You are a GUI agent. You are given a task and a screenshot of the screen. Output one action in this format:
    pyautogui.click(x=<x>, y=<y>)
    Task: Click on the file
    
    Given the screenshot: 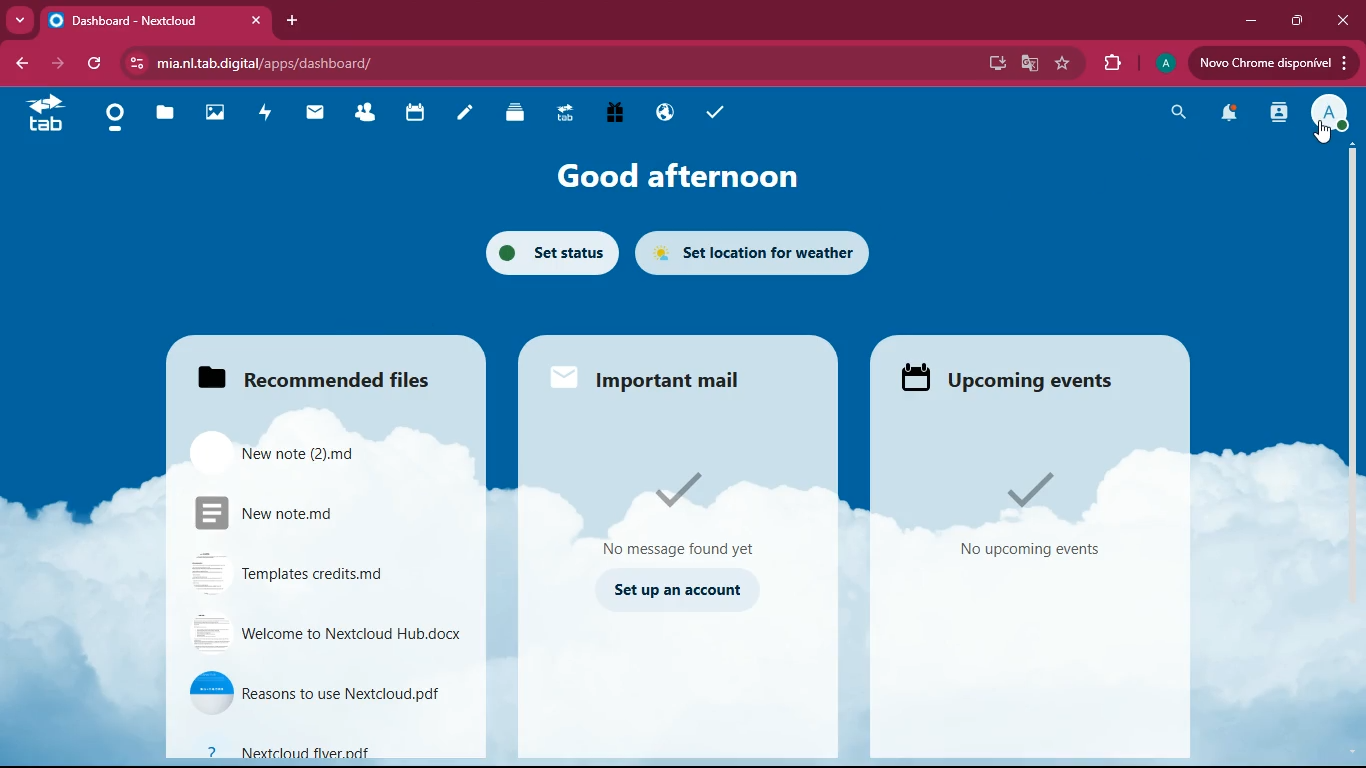 What is the action you would take?
    pyautogui.click(x=288, y=451)
    